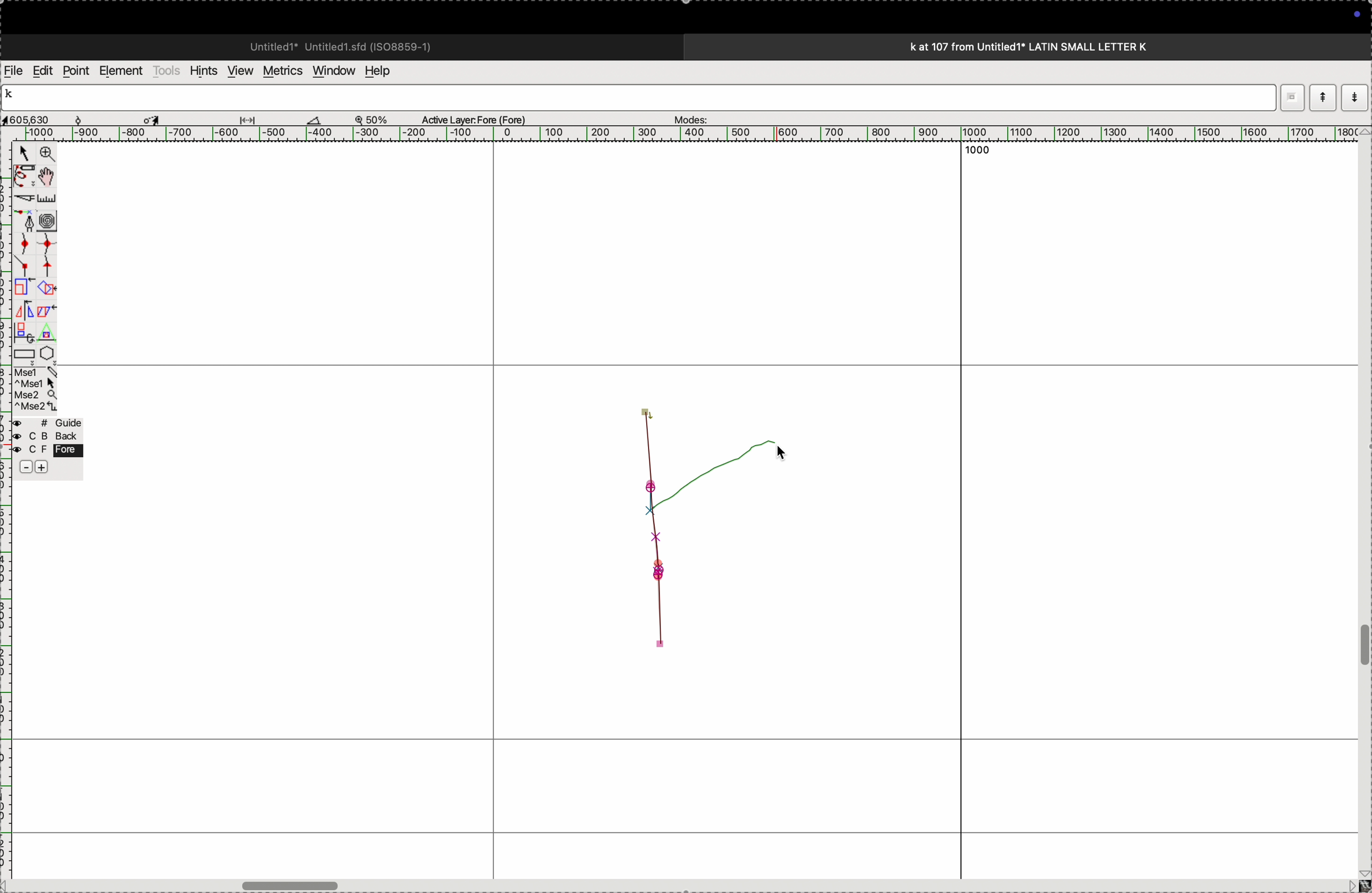 The width and height of the screenshot is (1372, 893). Describe the element at coordinates (28, 221) in the screenshot. I see `fountain pen` at that location.